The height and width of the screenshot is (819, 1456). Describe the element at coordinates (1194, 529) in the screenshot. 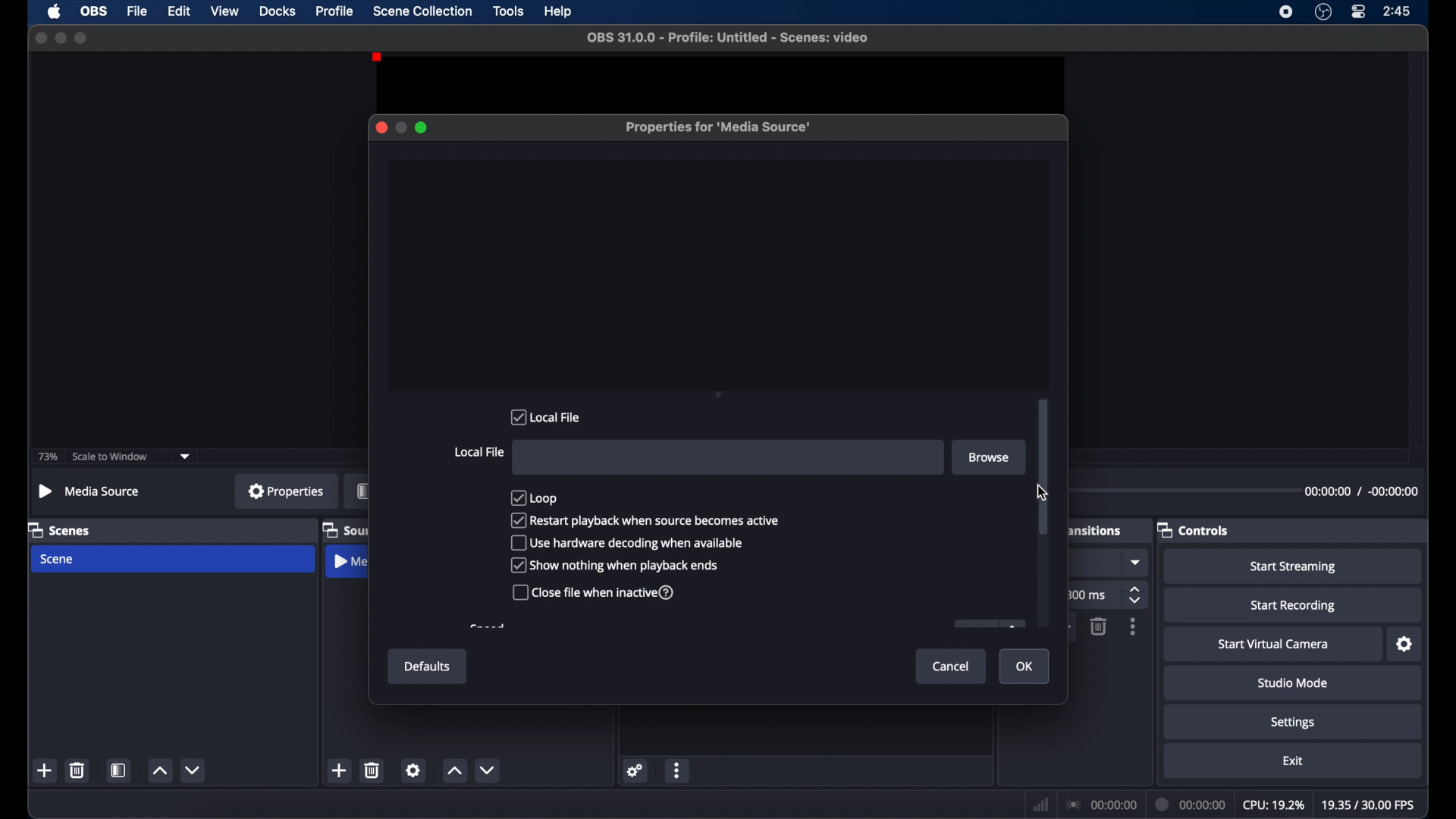

I see `controls` at that location.